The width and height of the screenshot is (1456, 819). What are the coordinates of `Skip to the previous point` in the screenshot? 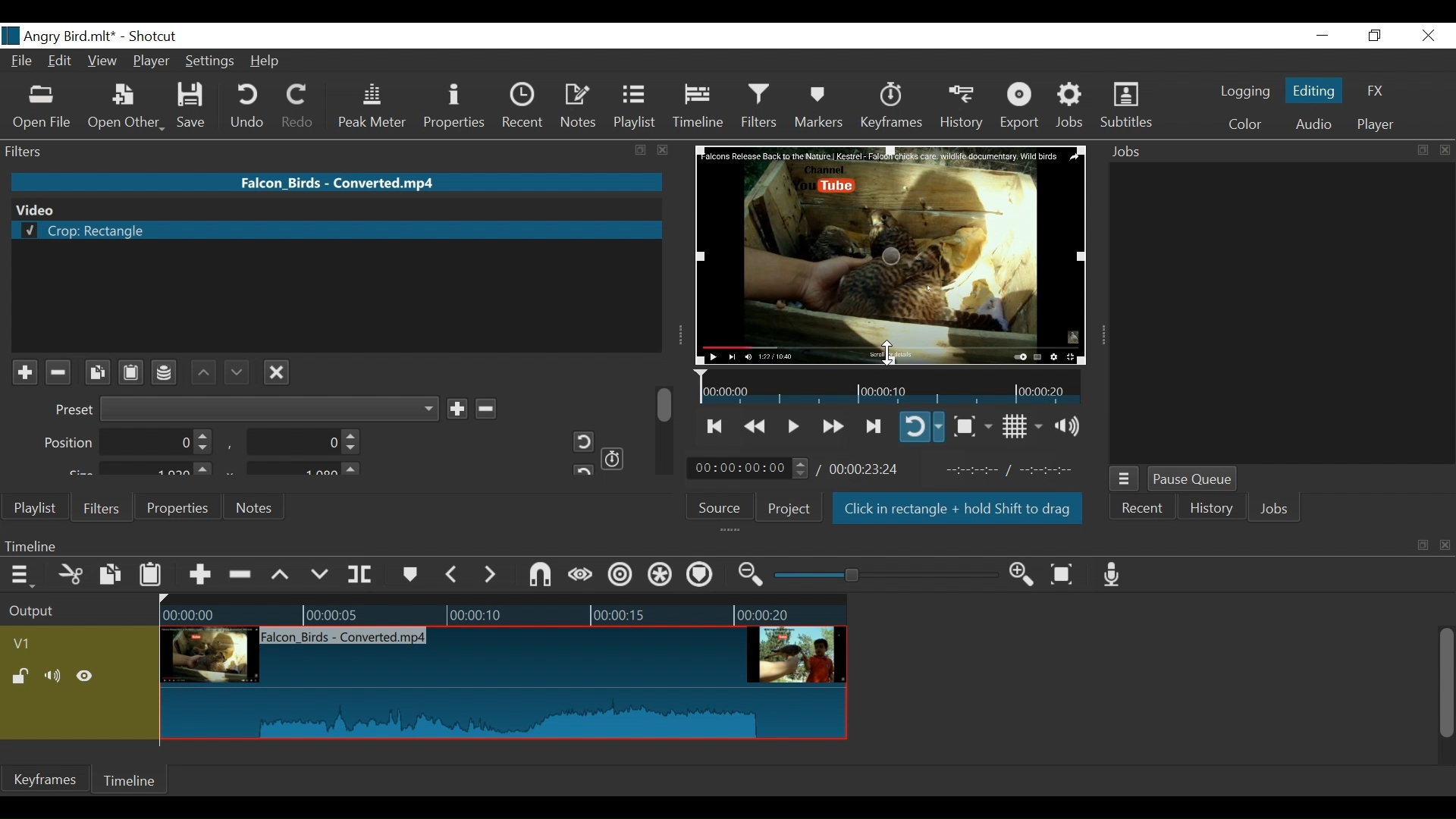 It's located at (716, 426).